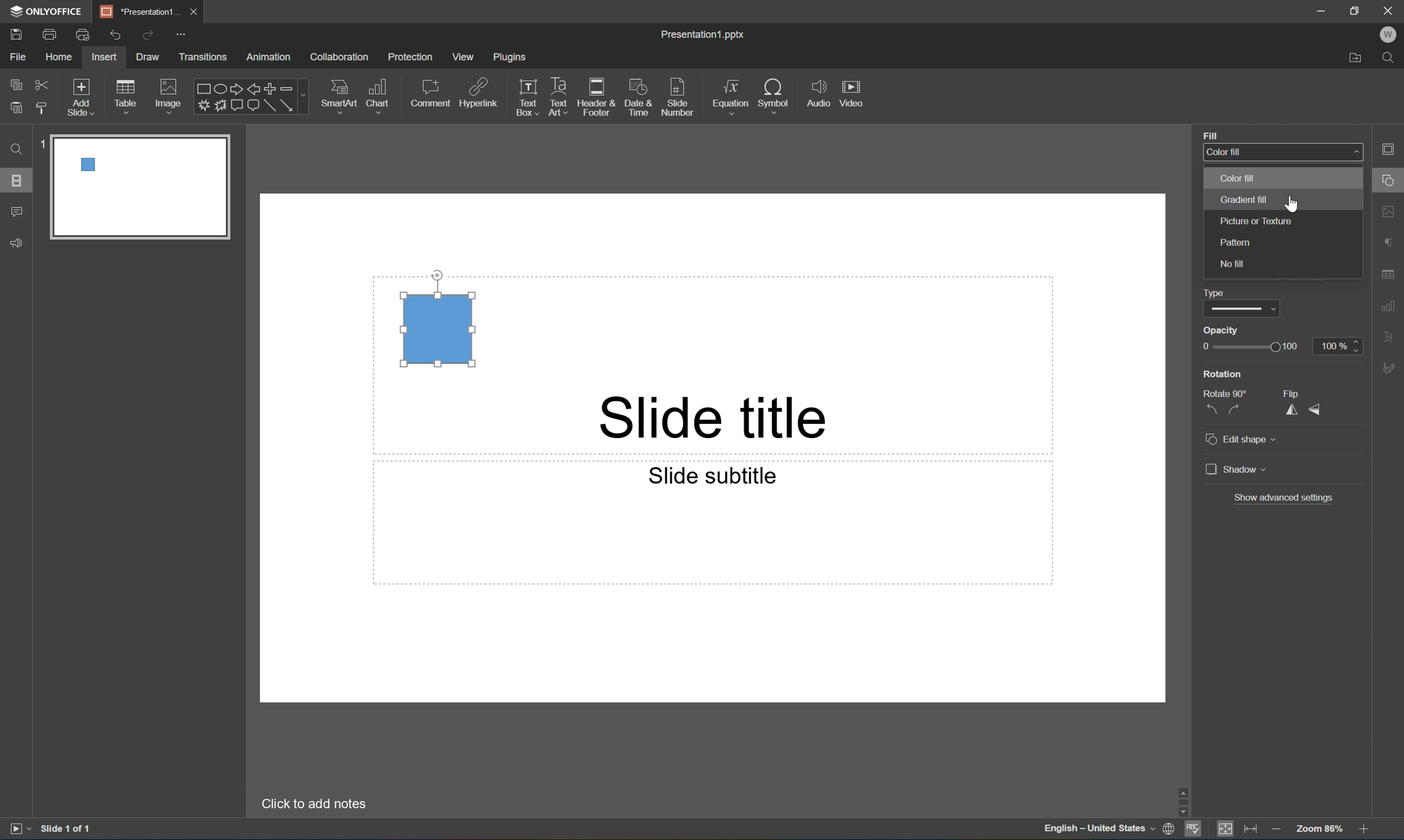 The height and width of the screenshot is (840, 1404). I want to click on Fit to width, so click(1252, 828).